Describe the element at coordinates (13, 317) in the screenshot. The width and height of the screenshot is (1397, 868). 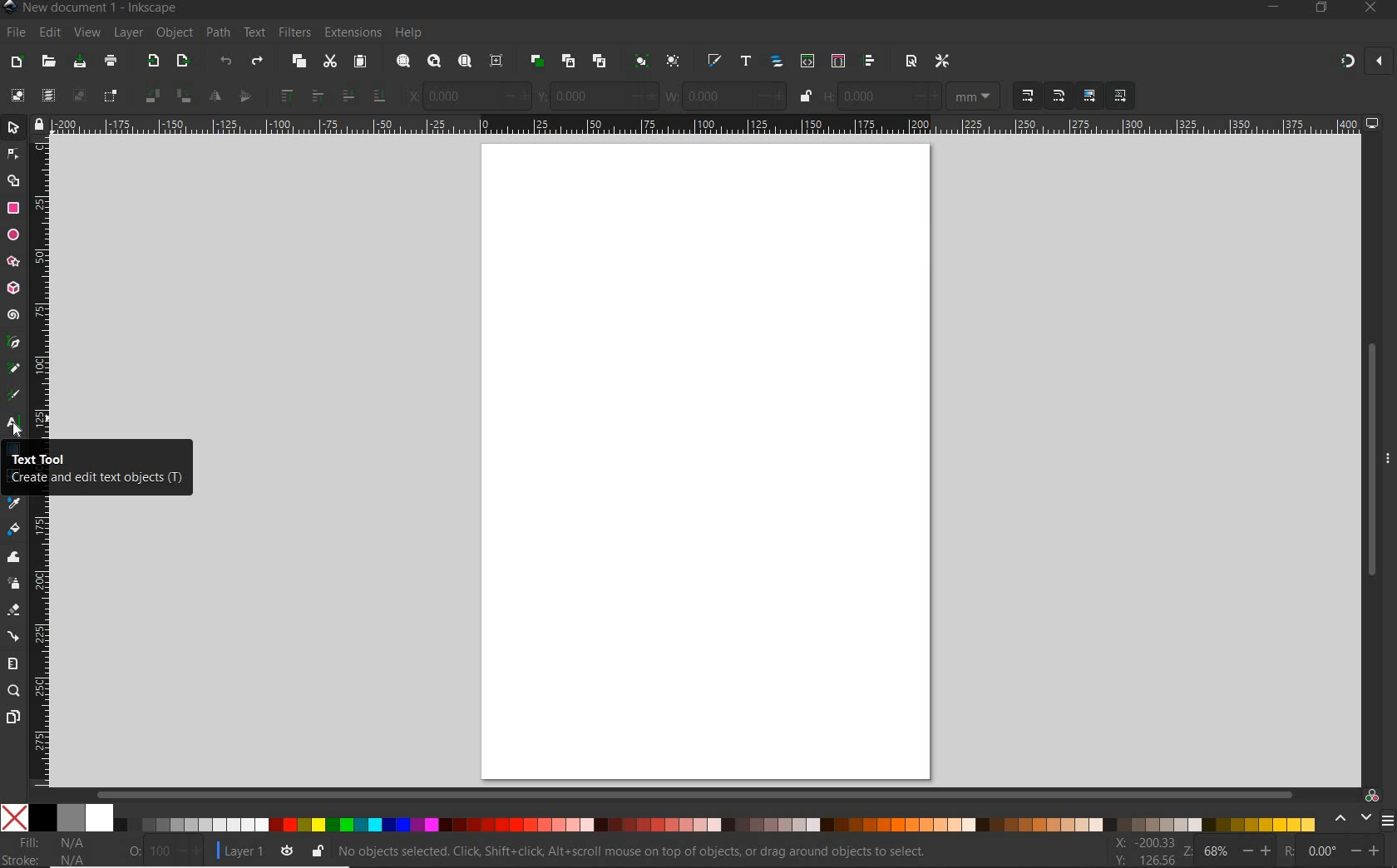
I see `spiral tool` at that location.